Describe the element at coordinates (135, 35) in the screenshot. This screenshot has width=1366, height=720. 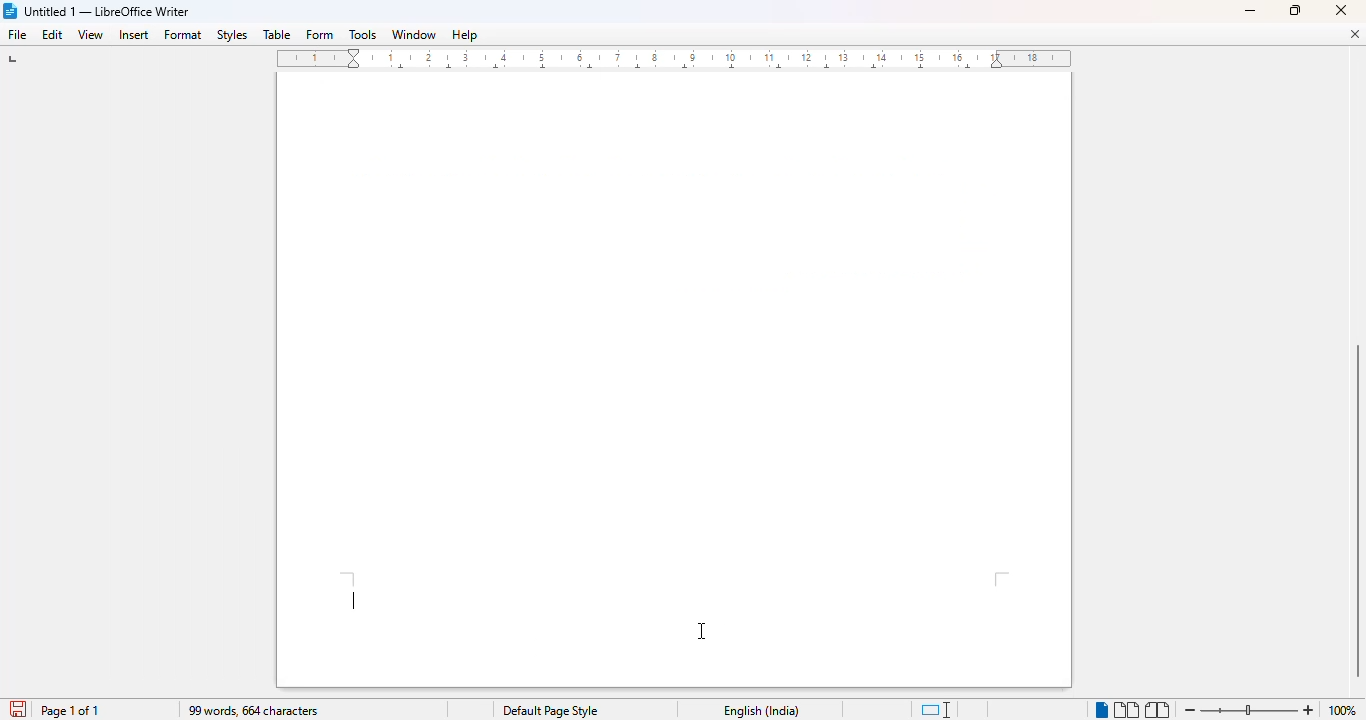
I see `insert` at that location.